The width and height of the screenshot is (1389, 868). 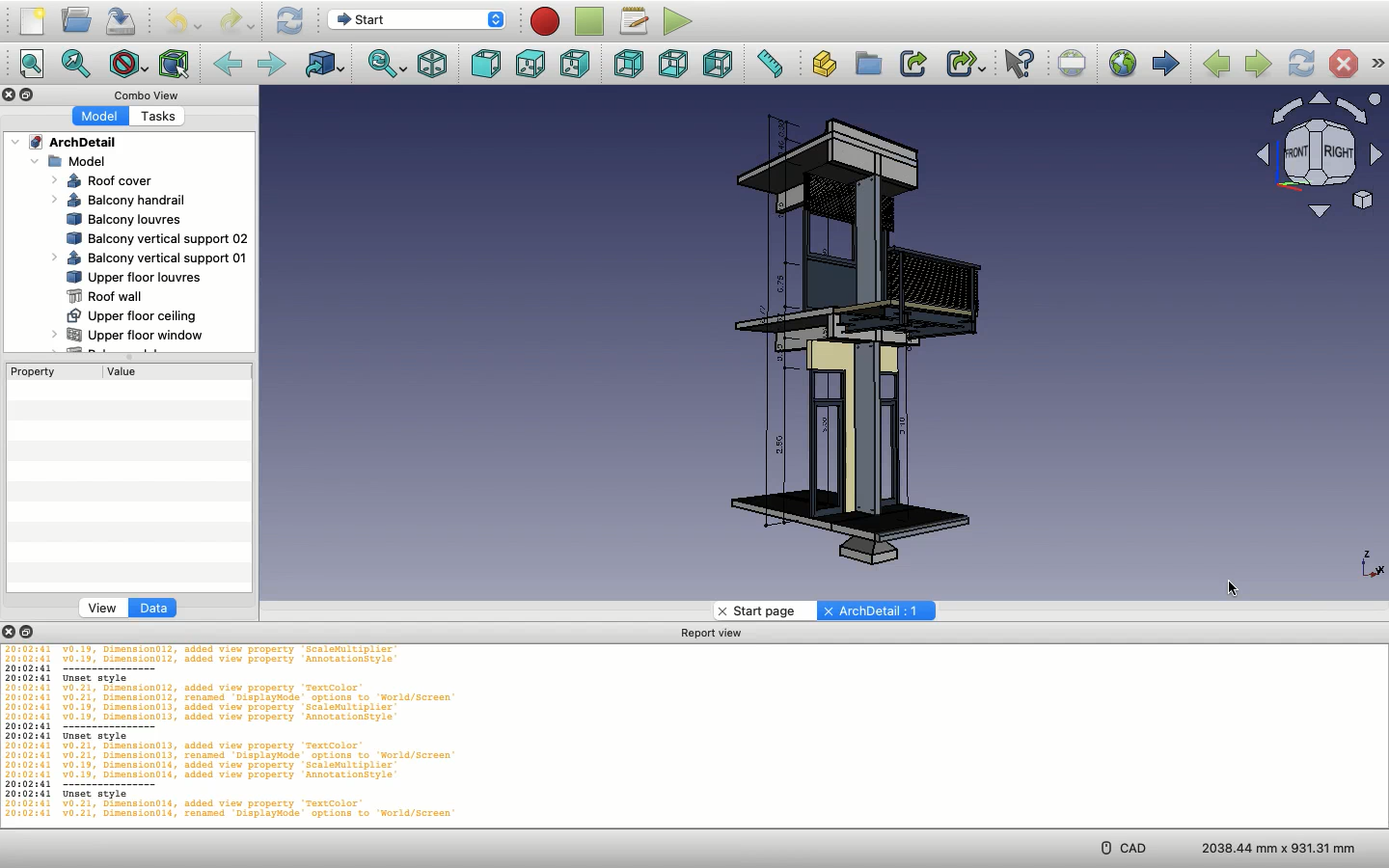 I want to click on Refresh, so click(x=291, y=21).